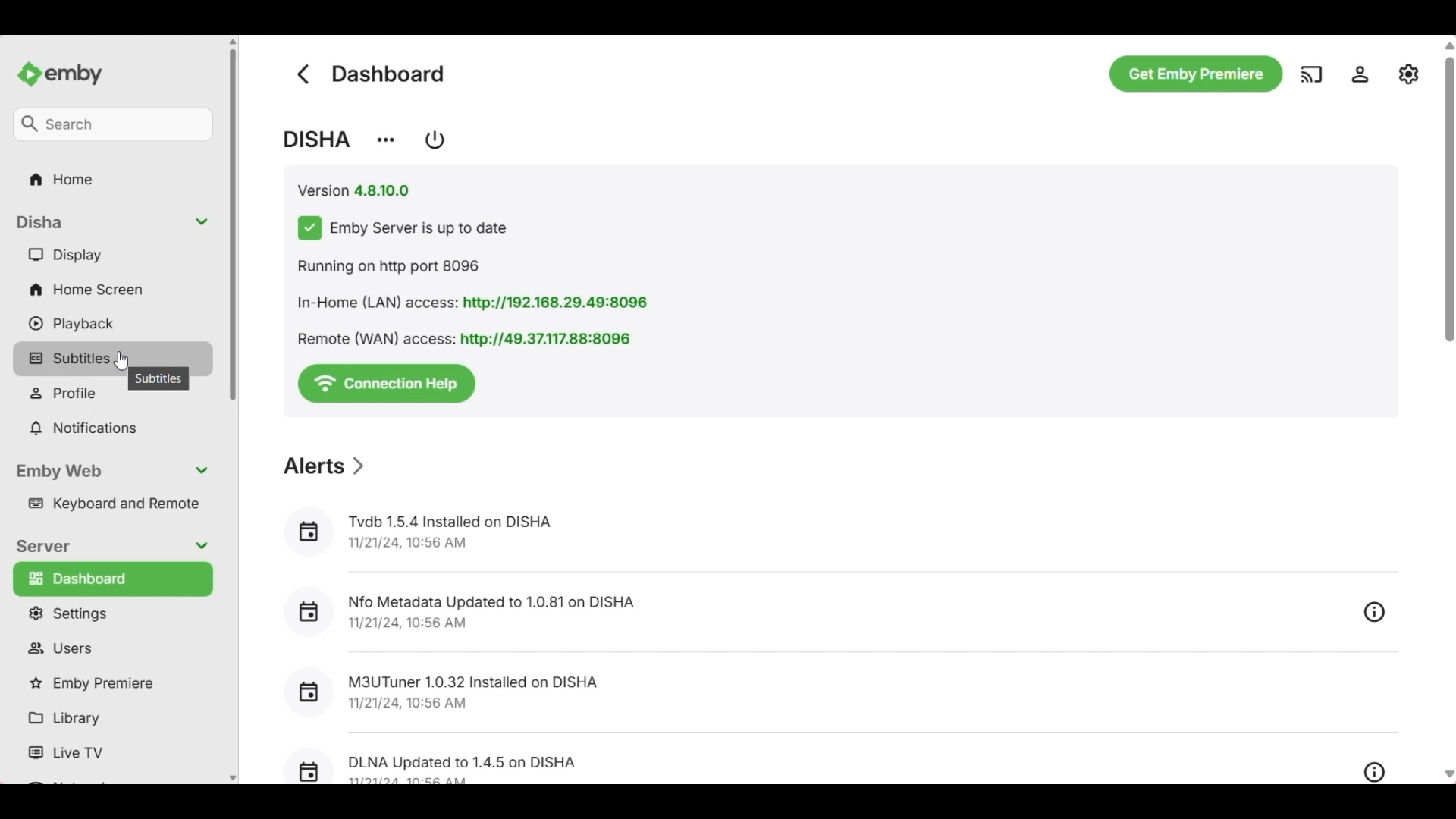 The width and height of the screenshot is (1456, 819). What do you see at coordinates (115, 222) in the screenshot?
I see `Collapse Disha folder` at bounding box center [115, 222].